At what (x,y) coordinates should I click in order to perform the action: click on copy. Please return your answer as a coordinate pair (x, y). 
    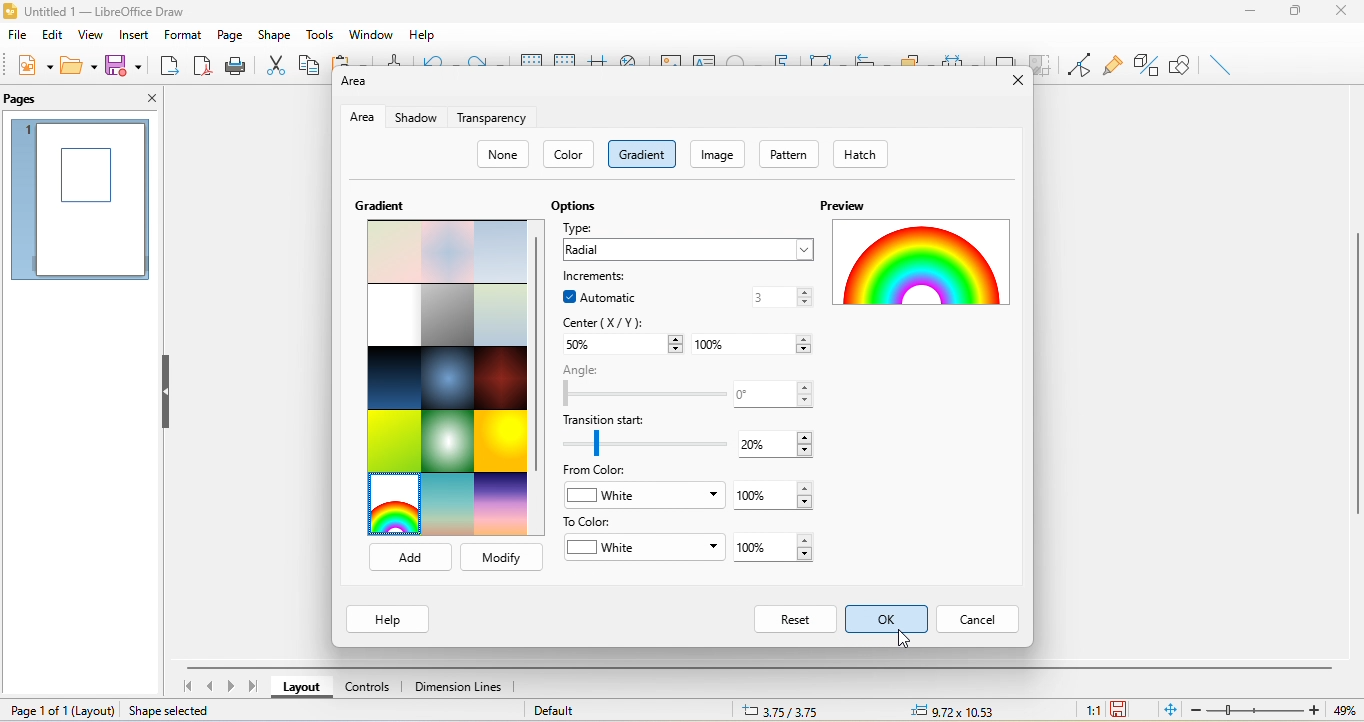
    Looking at the image, I should click on (309, 64).